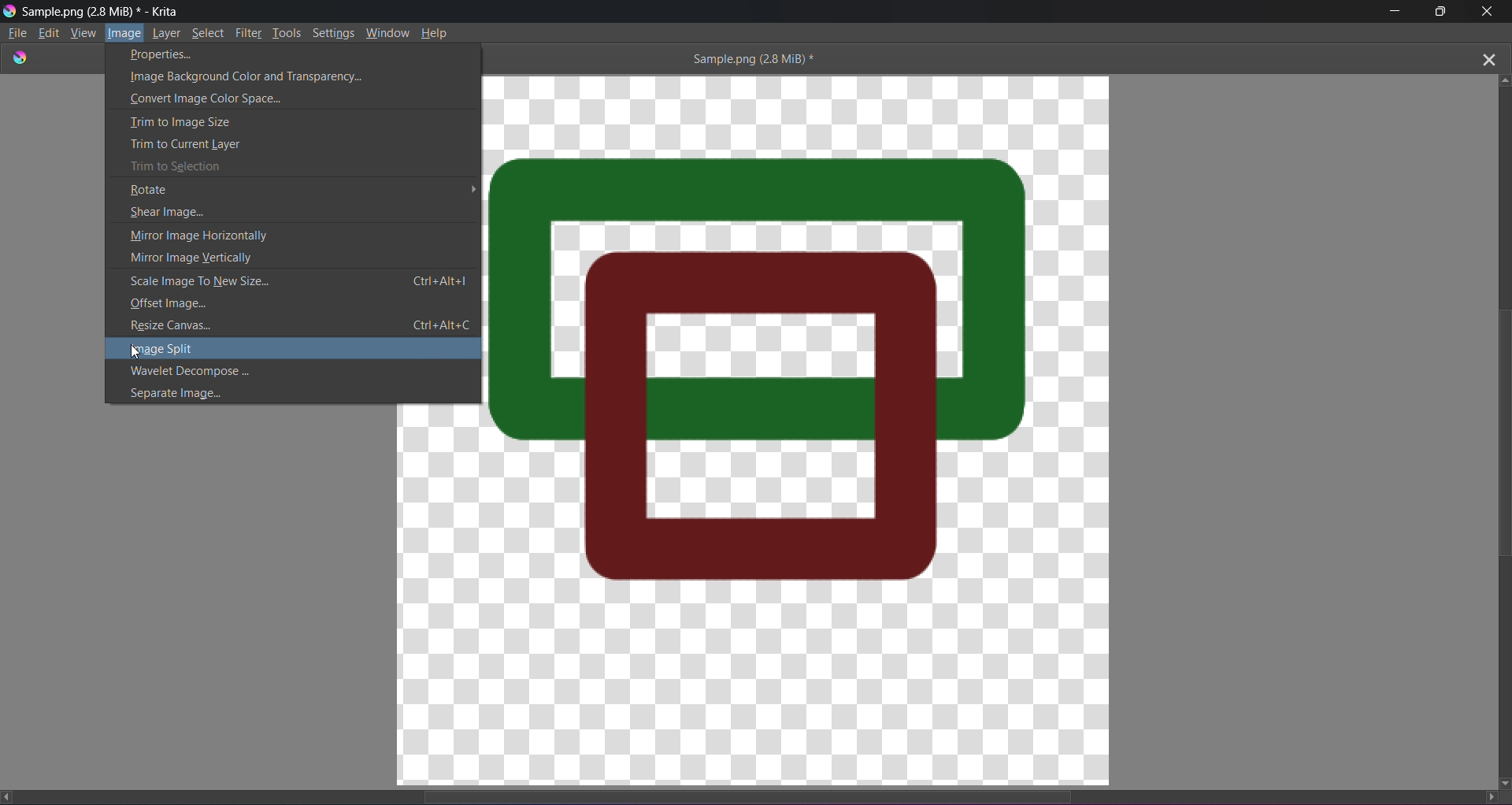 The image size is (1512, 805). Describe the element at coordinates (295, 76) in the screenshot. I see `Image Background Color and Transparency` at that location.